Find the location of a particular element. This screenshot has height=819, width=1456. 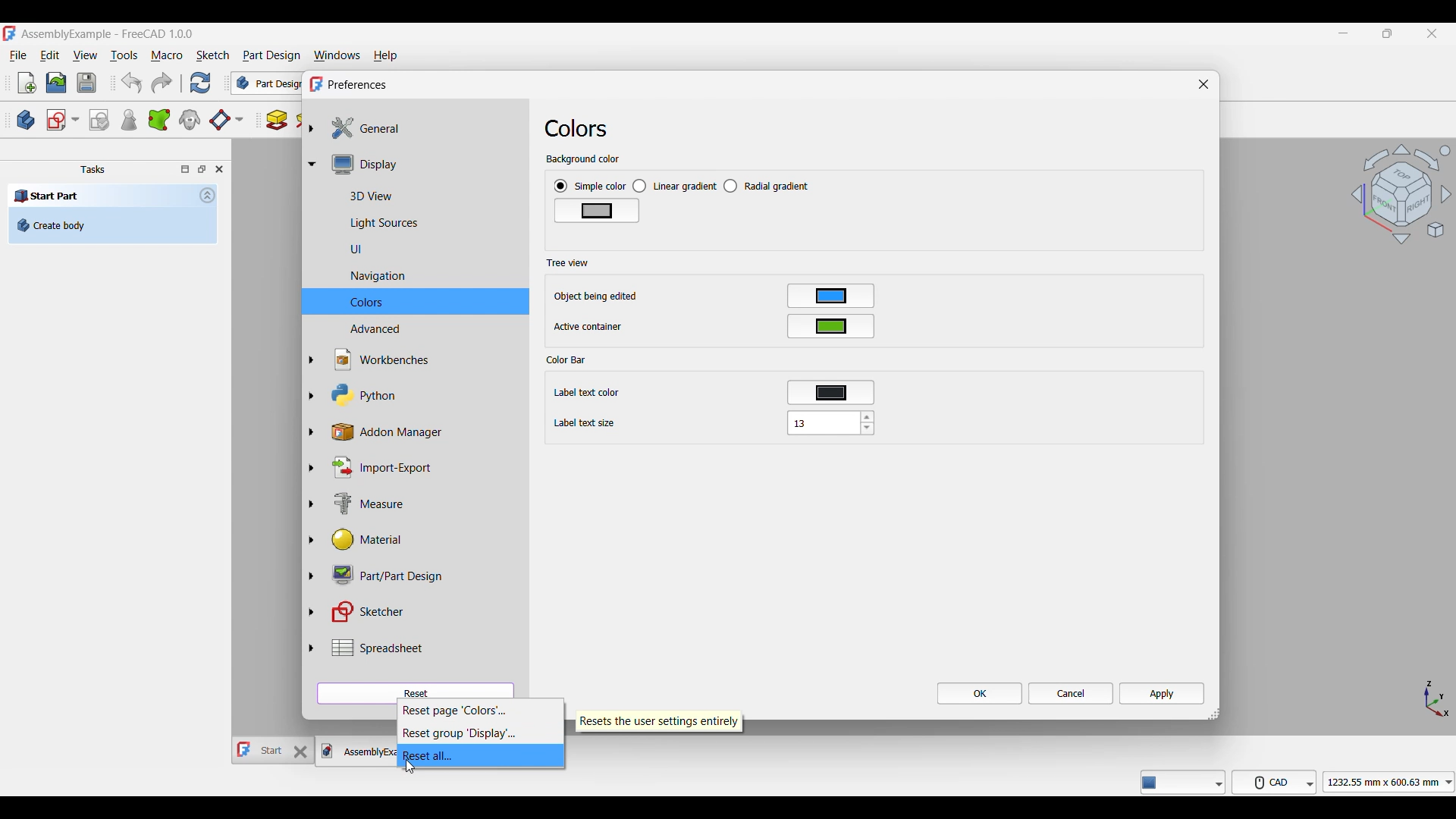

Refresh is located at coordinates (201, 83).